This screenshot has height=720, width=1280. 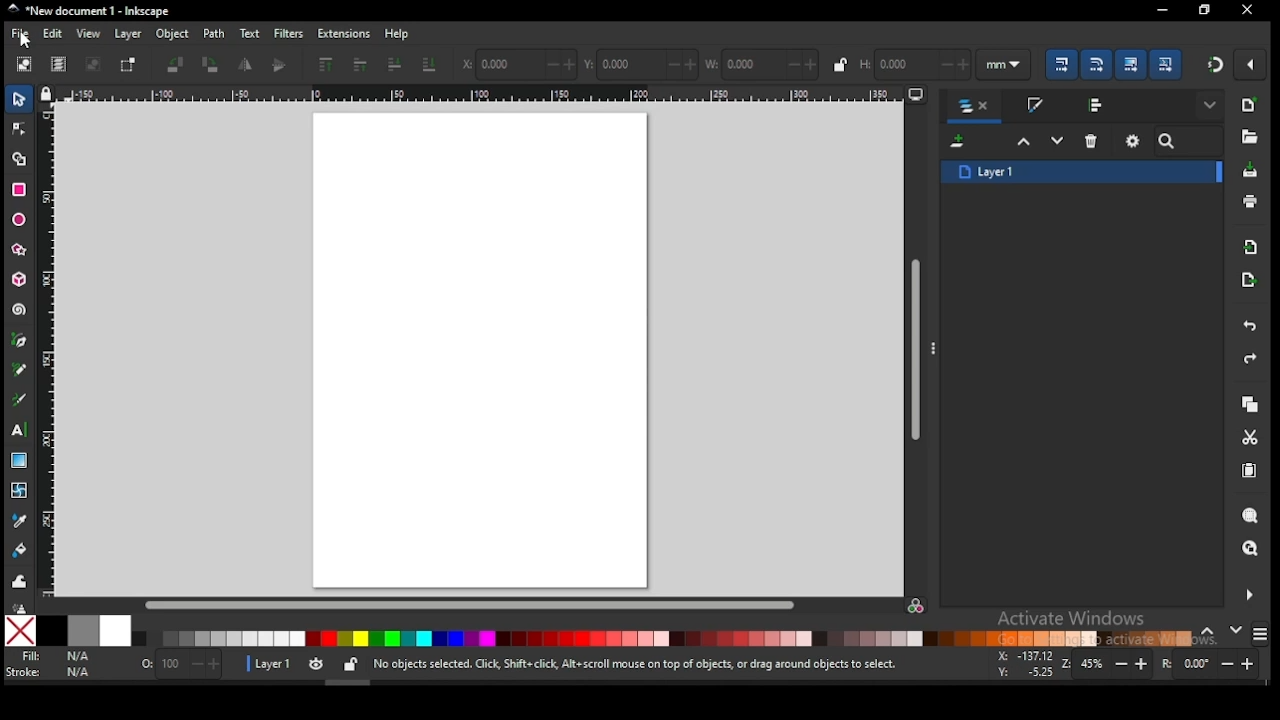 What do you see at coordinates (1098, 104) in the screenshot?
I see `align and distribute` at bounding box center [1098, 104].